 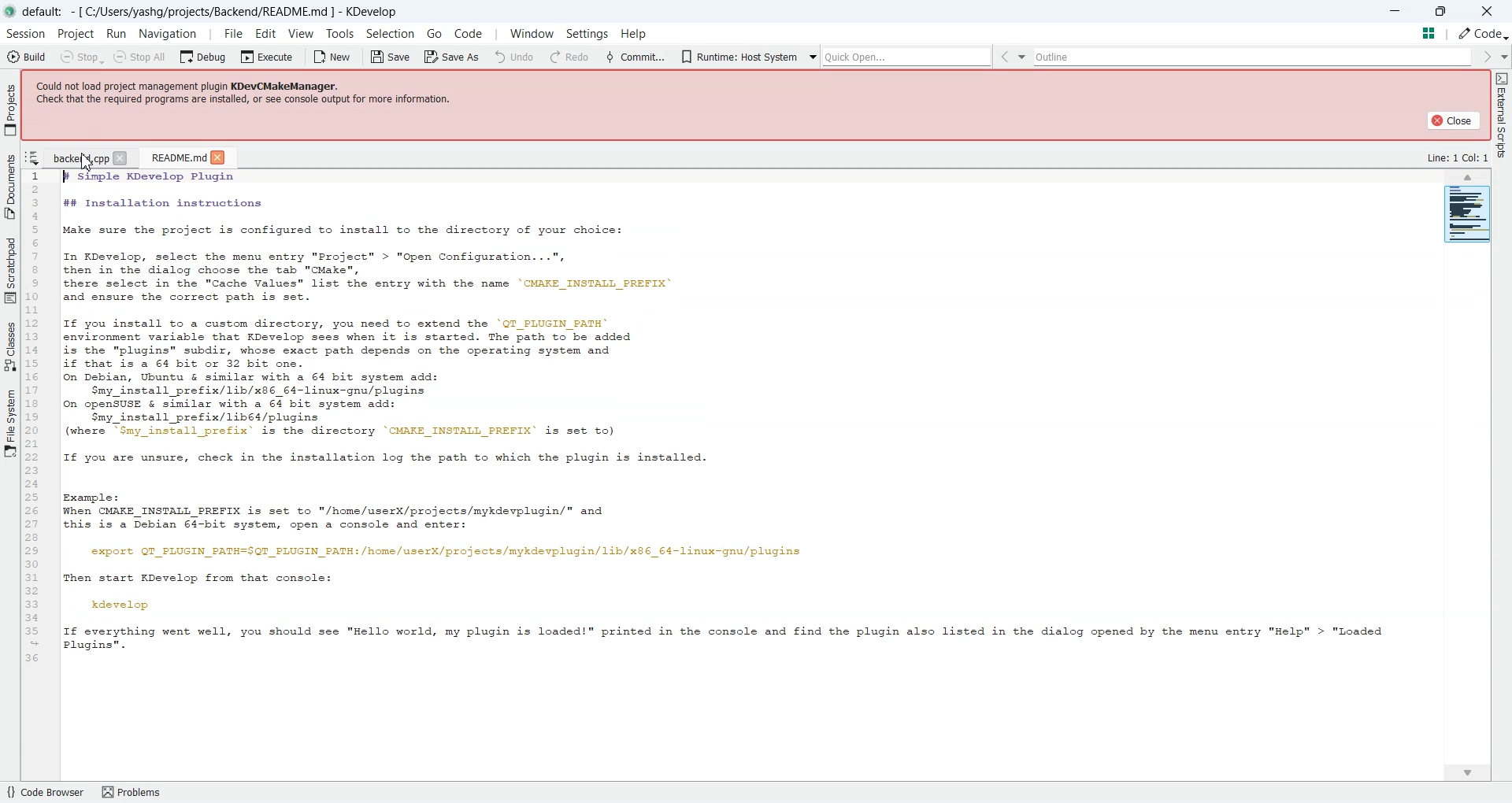 What do you see at coordinates (332, 432) in the screenshot?
I see `(where “Smy install prefix’ is the directory 'CMAKE INSTALL PREFIX’ is set to)` at bounding box center [332, 432].